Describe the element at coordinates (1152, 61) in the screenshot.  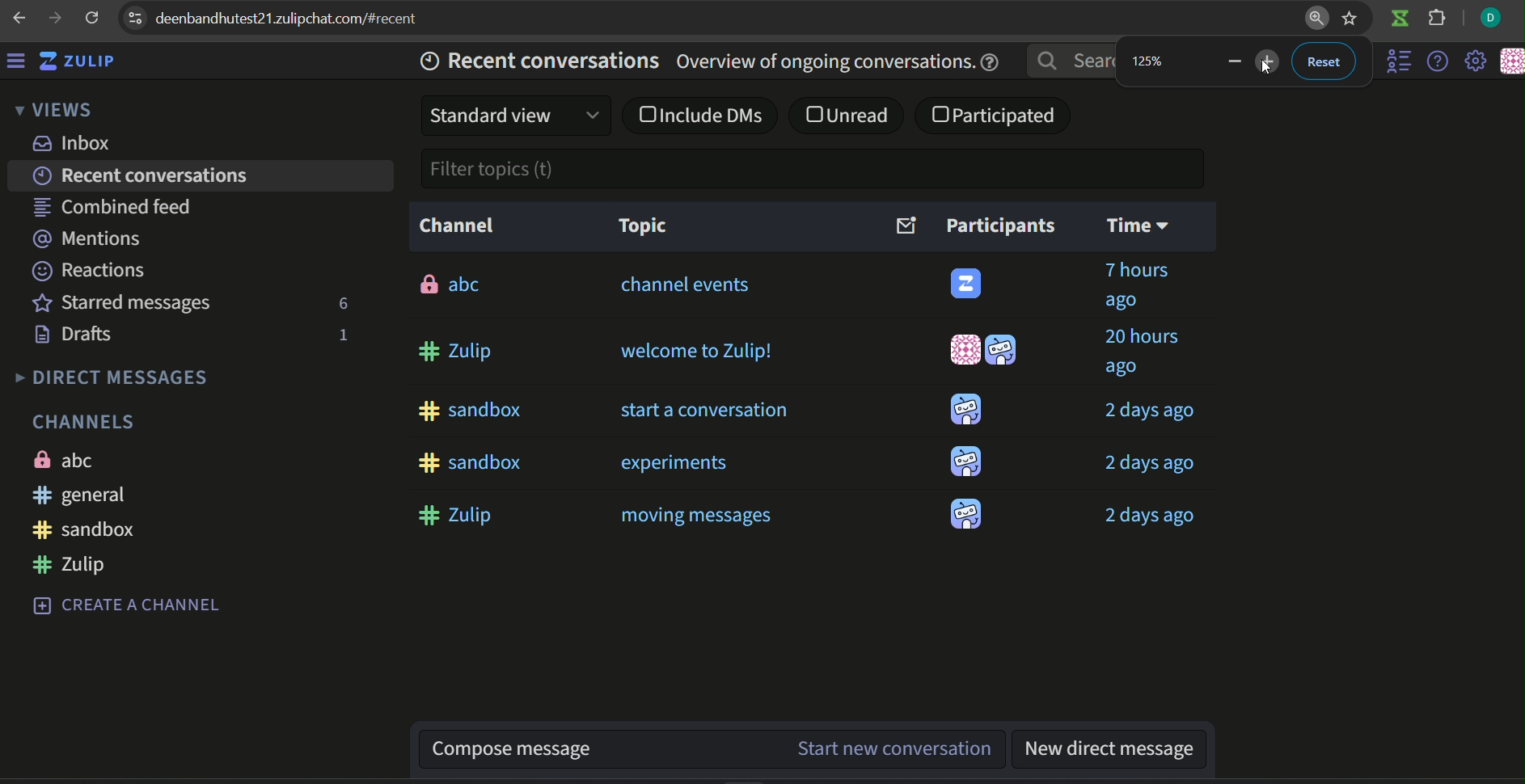
I see `number` at that location.